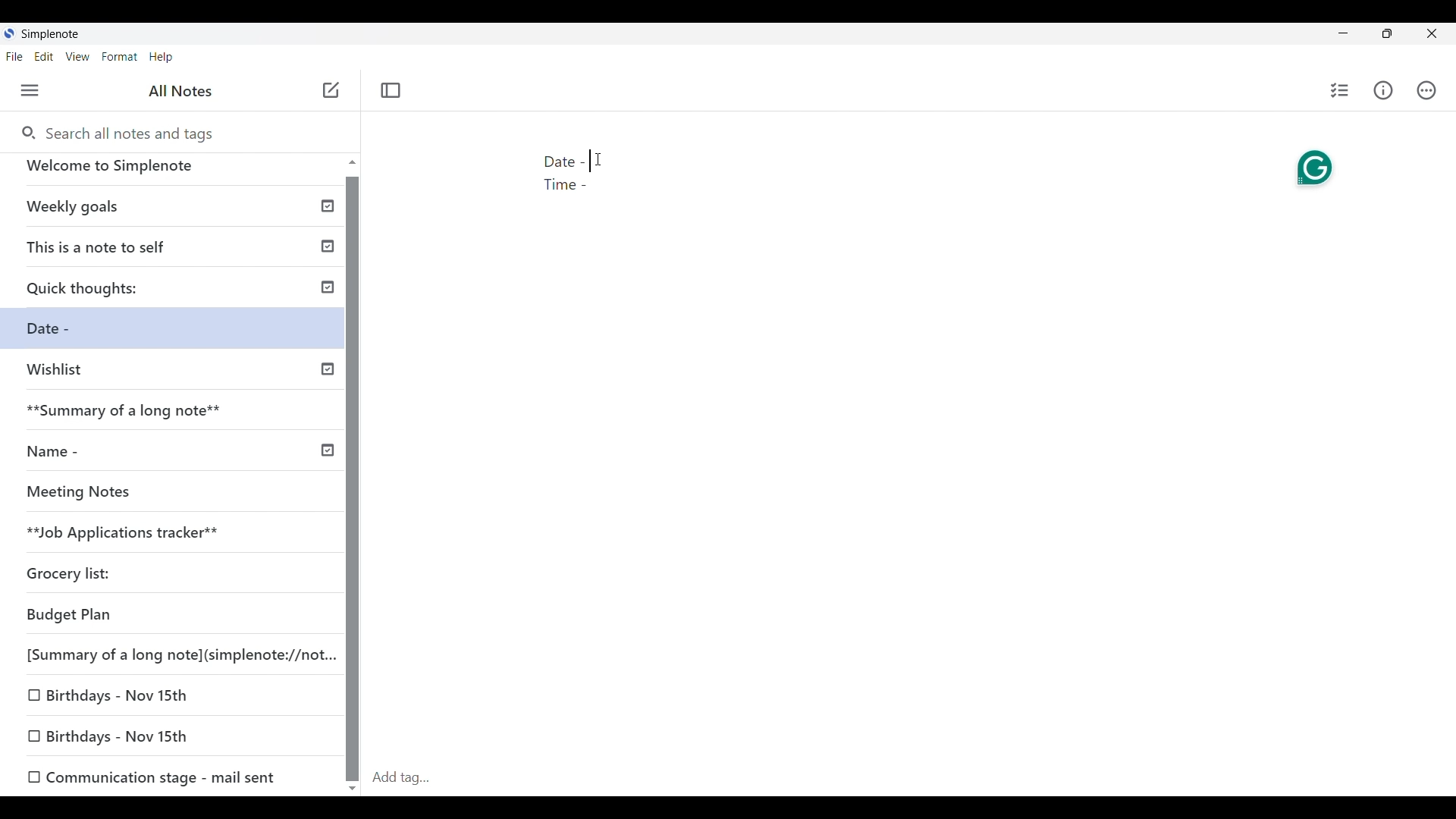 Image resolution: width=1456 pixels, height=819 pixels. What do you see at coordinates (910, 779) in the screenshot?
I see `Click to type in tags` at bounding box center [910, 779].